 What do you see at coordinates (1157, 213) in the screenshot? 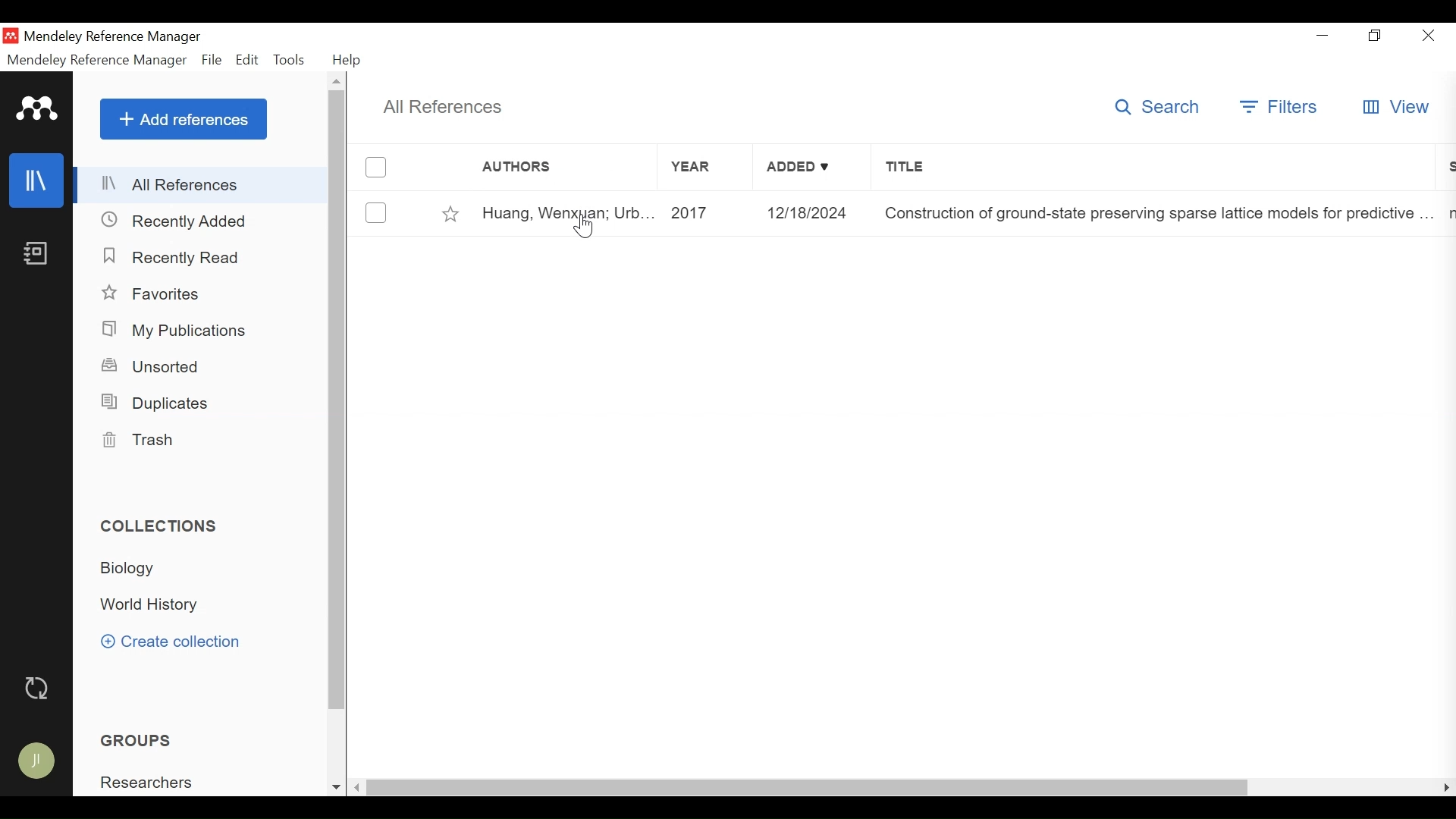
I see `Construction of ground-state preserving sparse lattice models for predictive ...` at bounding box center [1157, 213].